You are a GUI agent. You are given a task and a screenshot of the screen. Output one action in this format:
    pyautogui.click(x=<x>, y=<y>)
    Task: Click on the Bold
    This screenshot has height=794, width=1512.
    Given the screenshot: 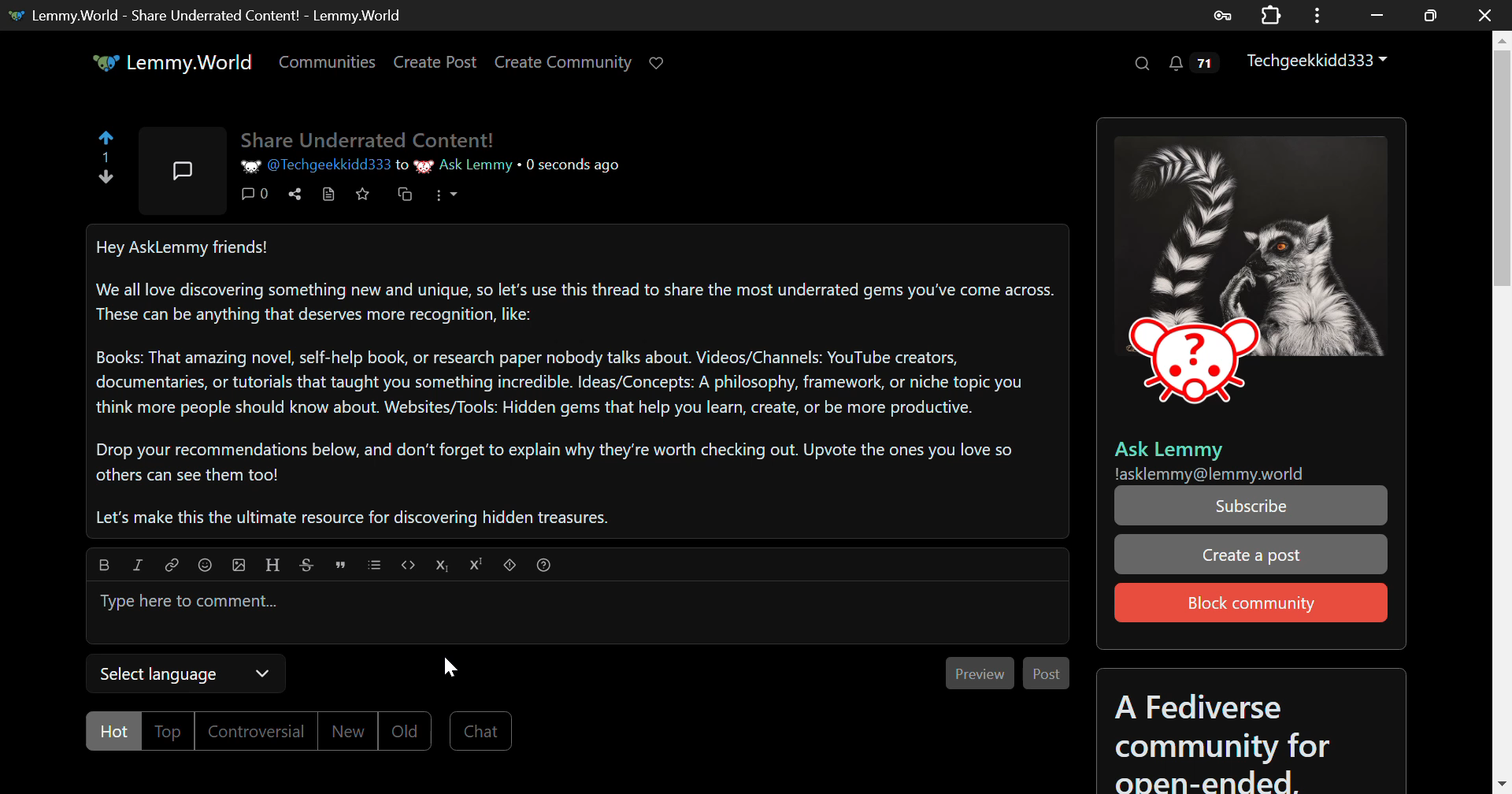 What is the action you would take?
    pyautogui.click(x=102, y=566)
    